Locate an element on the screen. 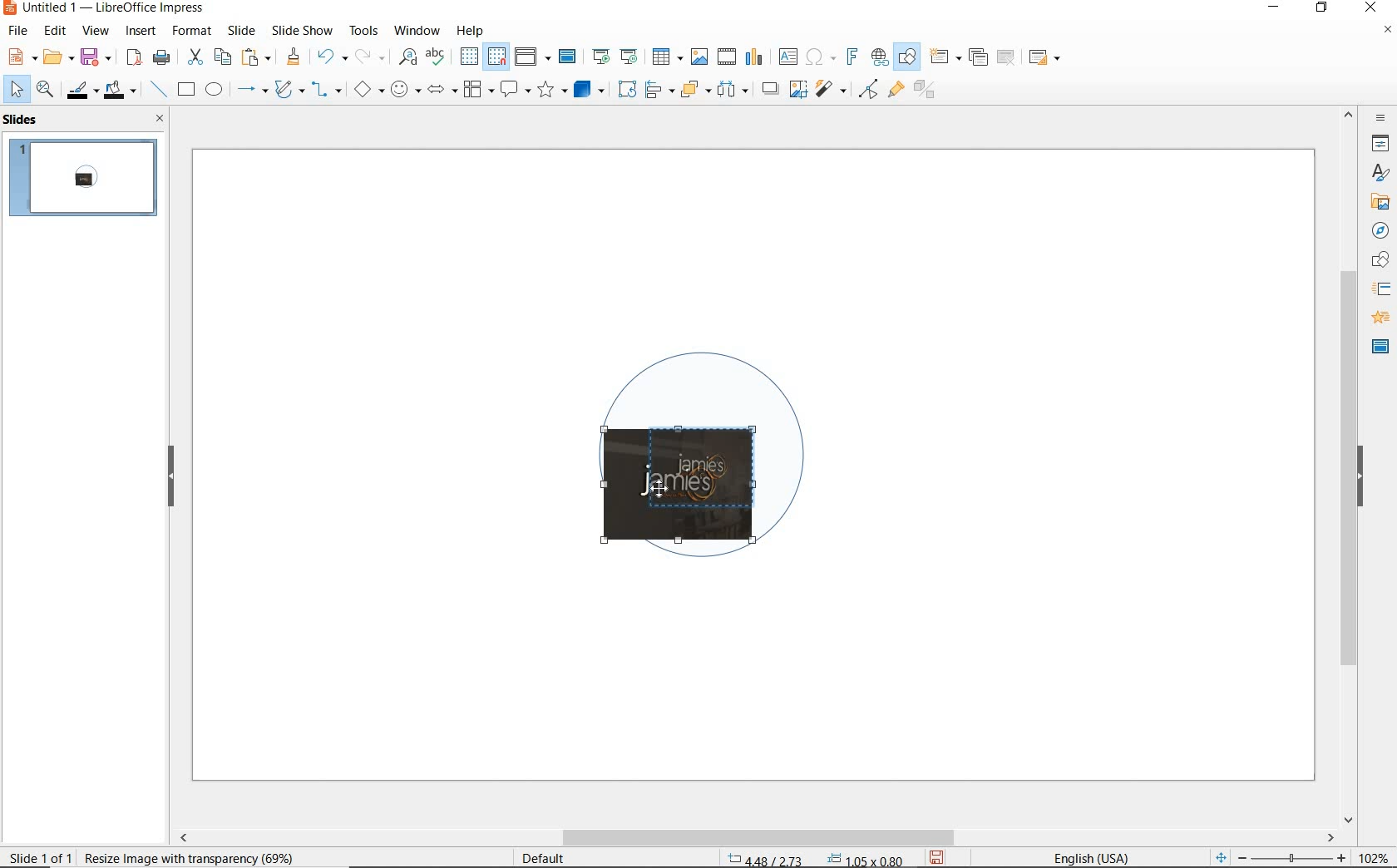 This screenshot has height=868, width=1397. slide show is located at coordinates (301, 30).